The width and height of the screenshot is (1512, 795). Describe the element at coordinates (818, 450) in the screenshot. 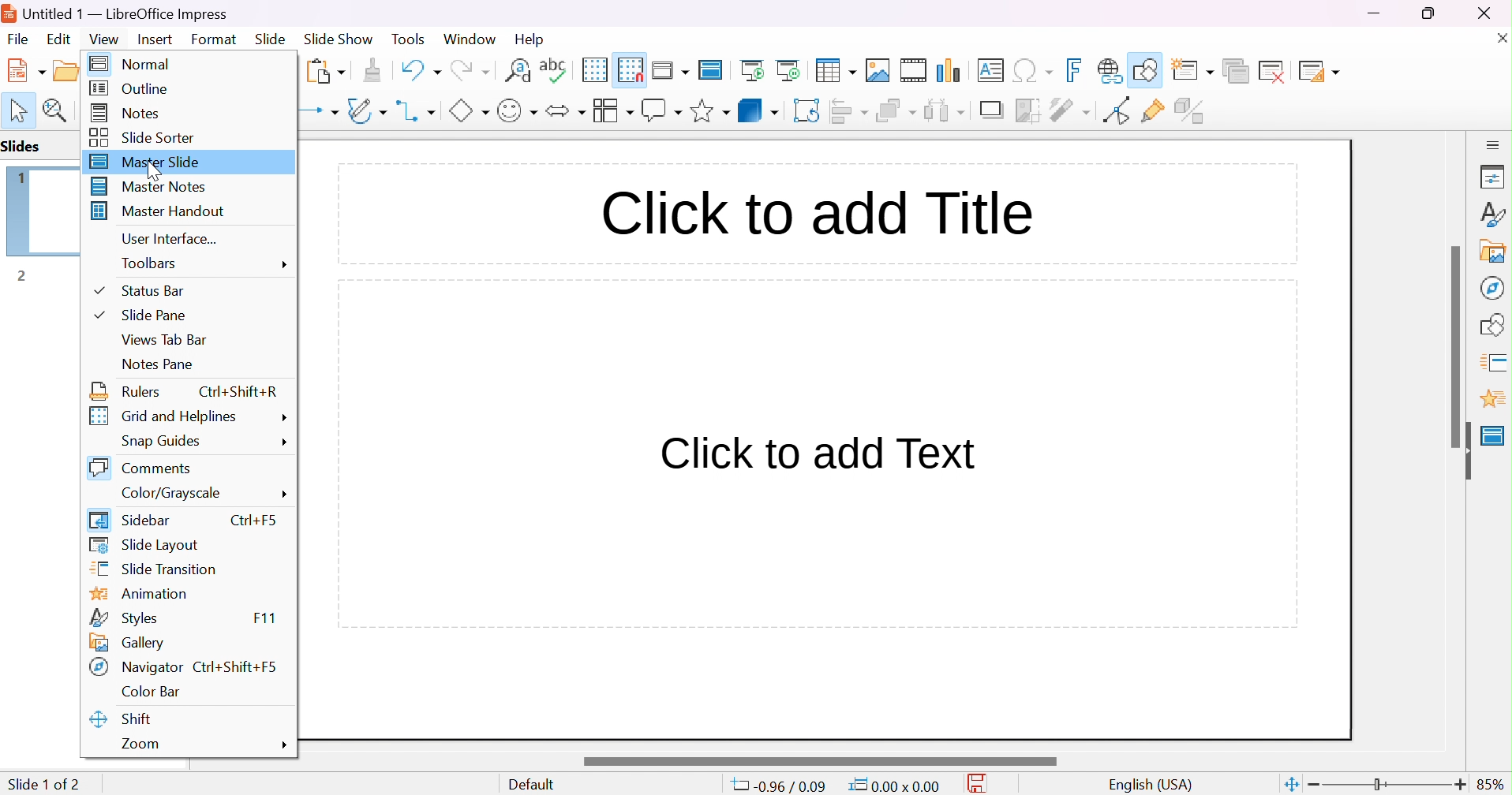

I see `click to add text` at that location.